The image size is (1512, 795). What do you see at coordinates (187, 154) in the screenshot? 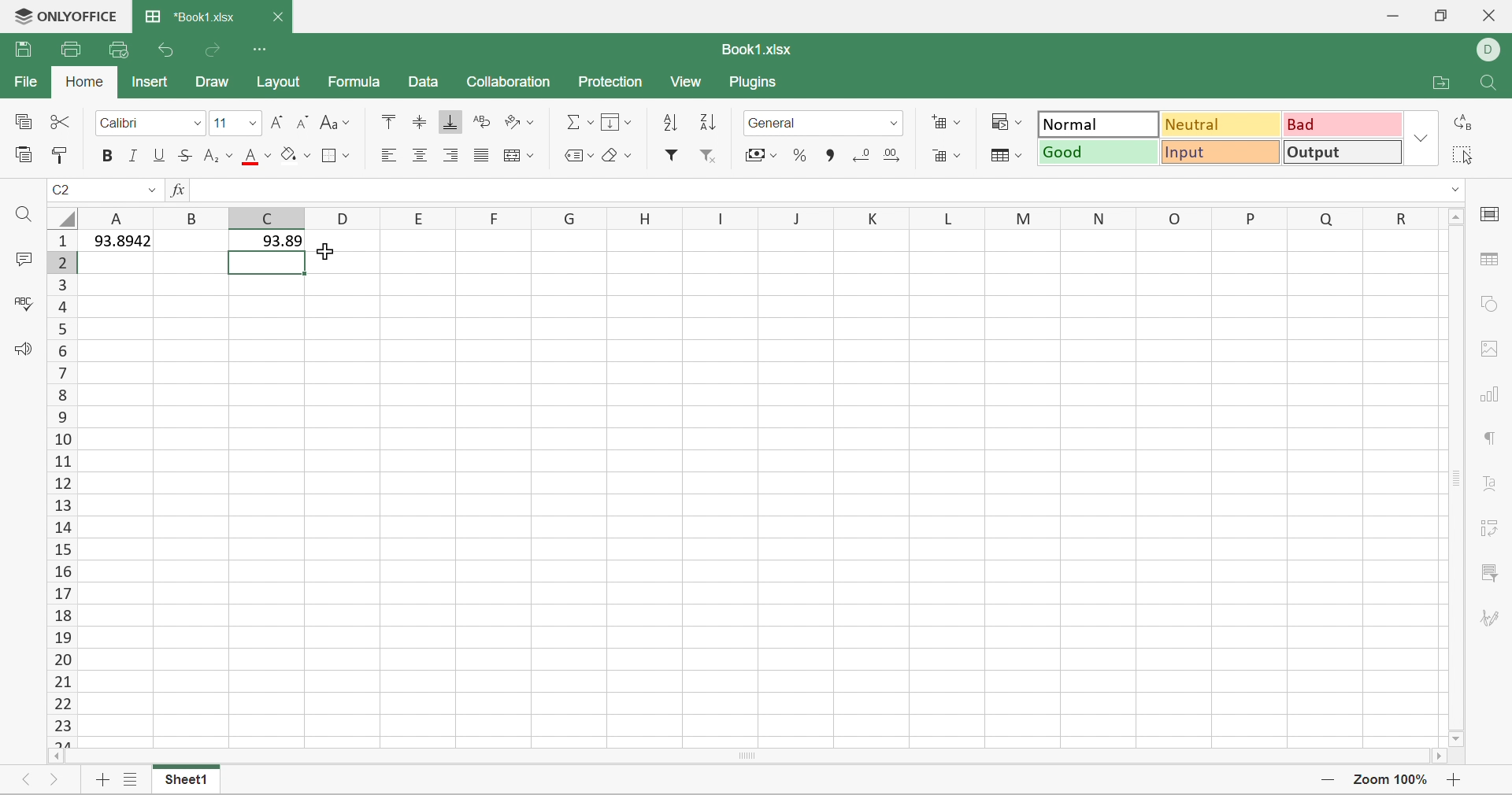
I see `Strikethrough` at bounding box center [187, 154].